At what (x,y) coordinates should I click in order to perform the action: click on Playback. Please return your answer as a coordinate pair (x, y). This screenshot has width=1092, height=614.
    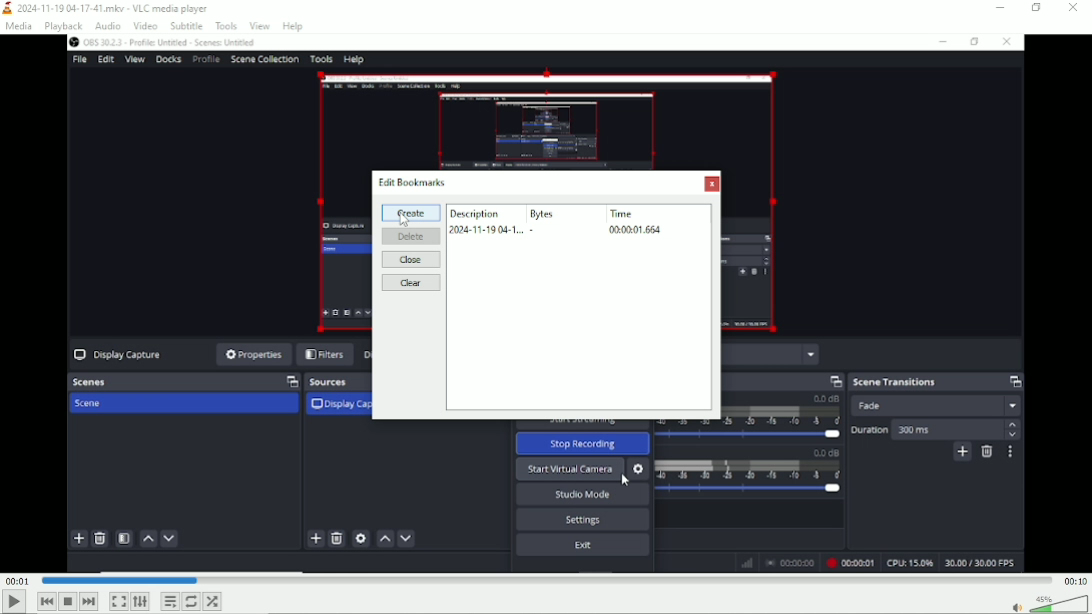
    Looking at the image, I should click on (64, 26).